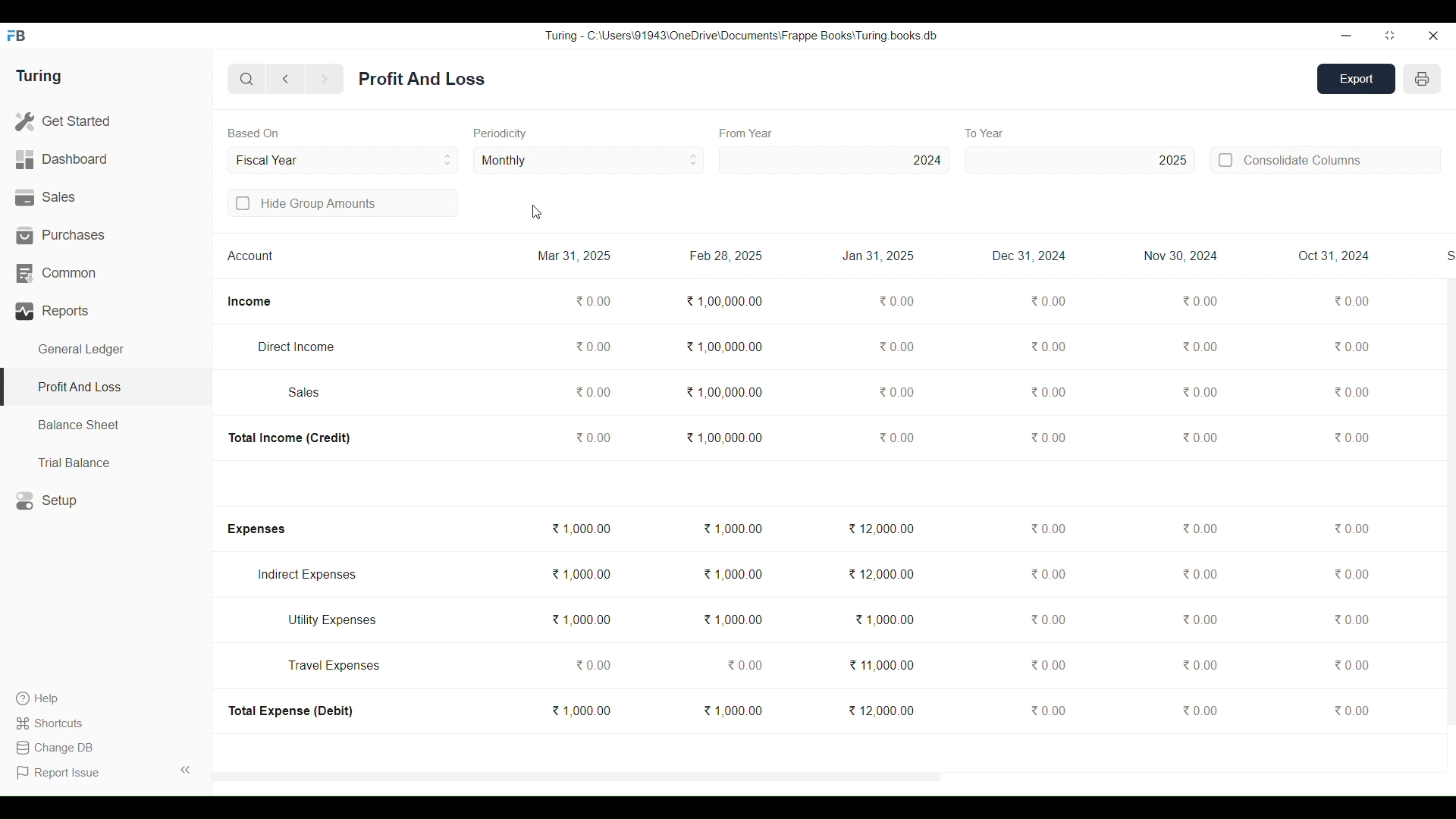 Image resolution: width=1456 pixels, height=819 pixels. Describe the element at coordinates (592, 665) in the screenshot. I see `0.00` at that location.